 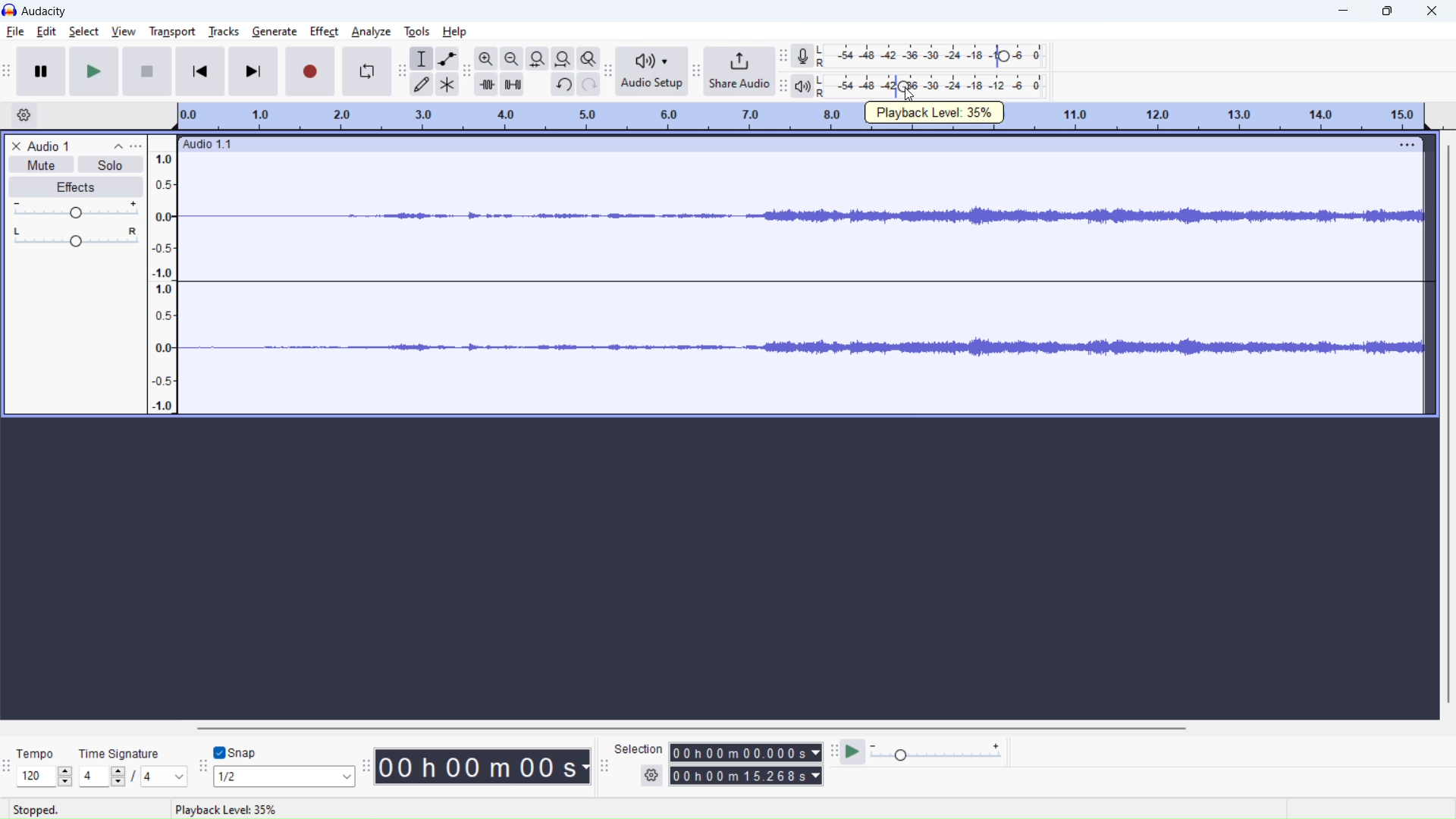 I want to click on multi tool, so click(x=447, y=84).